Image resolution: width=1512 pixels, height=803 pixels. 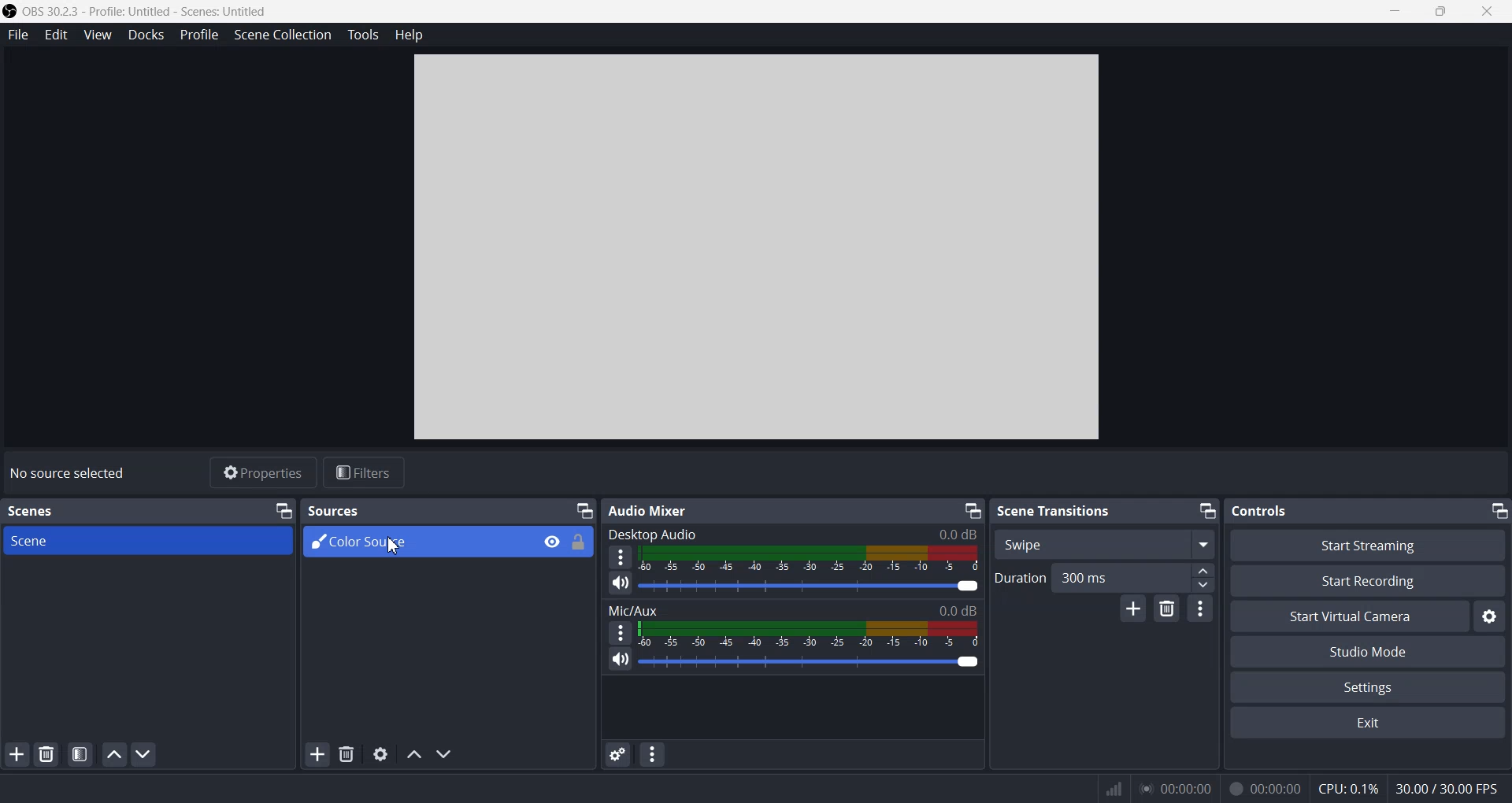 I want to click on Text, so click(x=1262, y=510).